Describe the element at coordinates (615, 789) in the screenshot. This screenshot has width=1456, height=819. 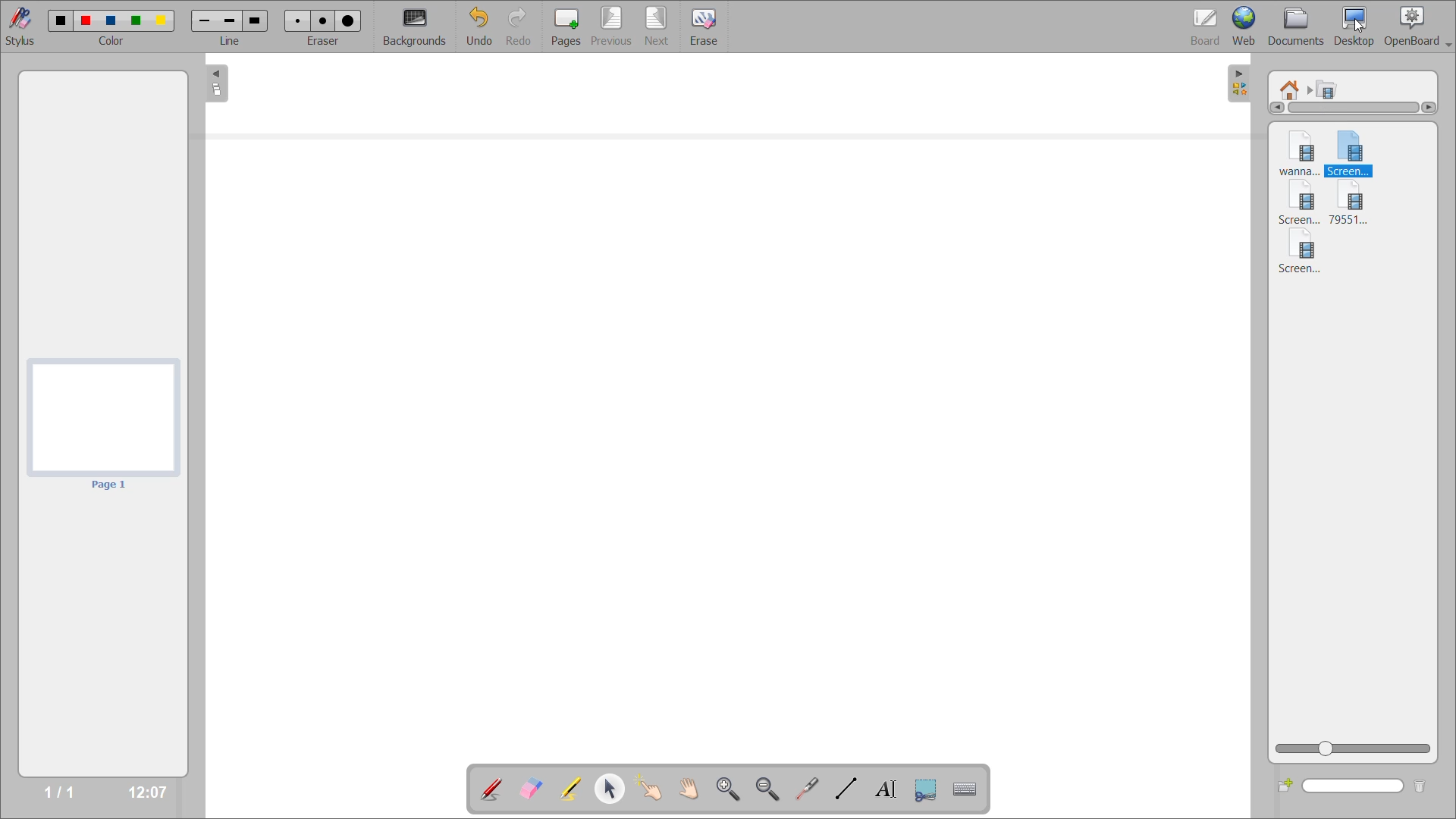
I see `select and modify objects` at that location.